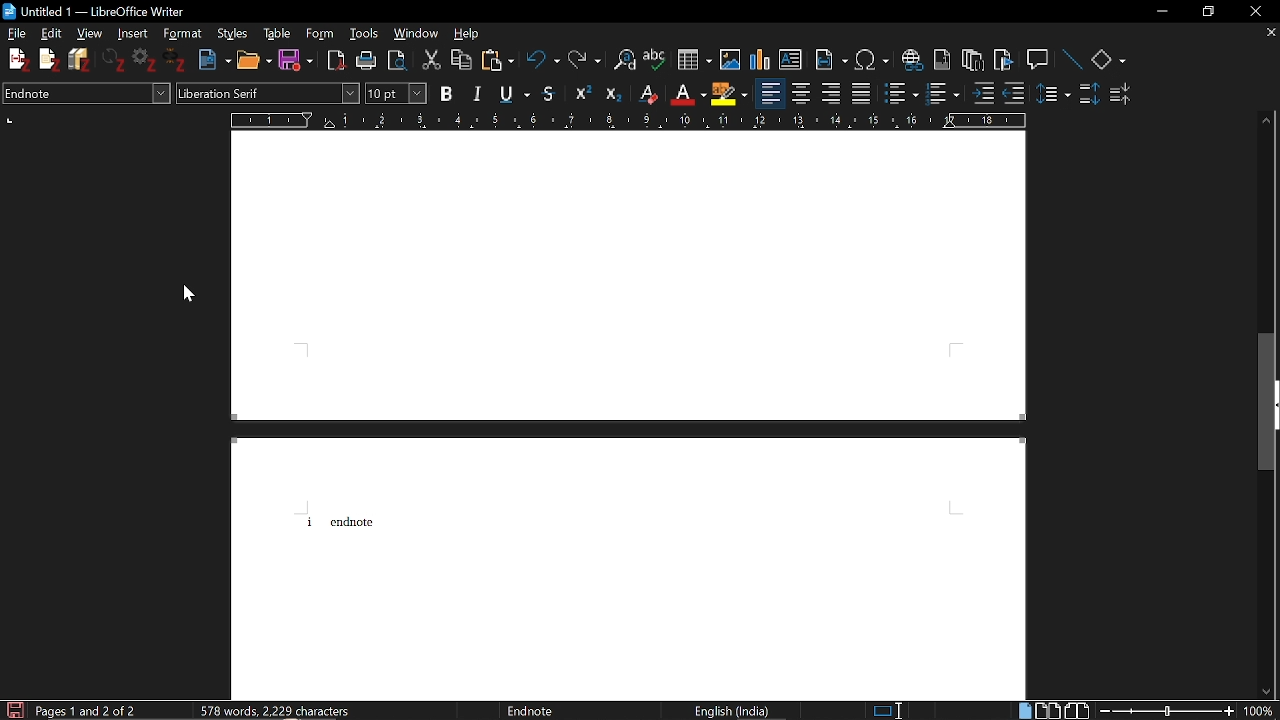 The width and height of the screenshot is (1280, 720). What do you see at coordinates (902, 94) in the screenshot?
I see `Togle ordered list` at bounding box center [902, 94].